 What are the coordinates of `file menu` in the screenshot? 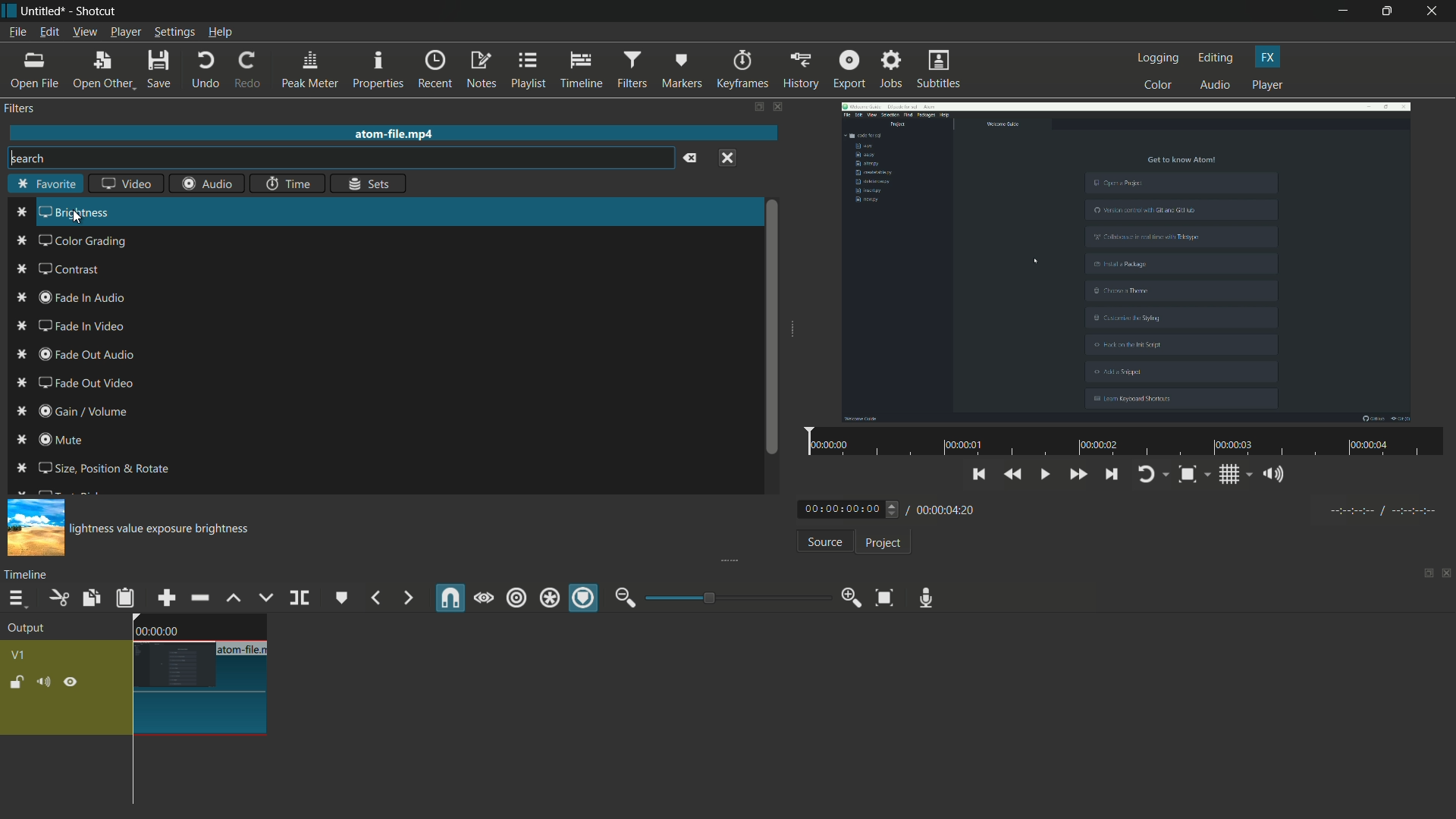 It's located at (17, 32).